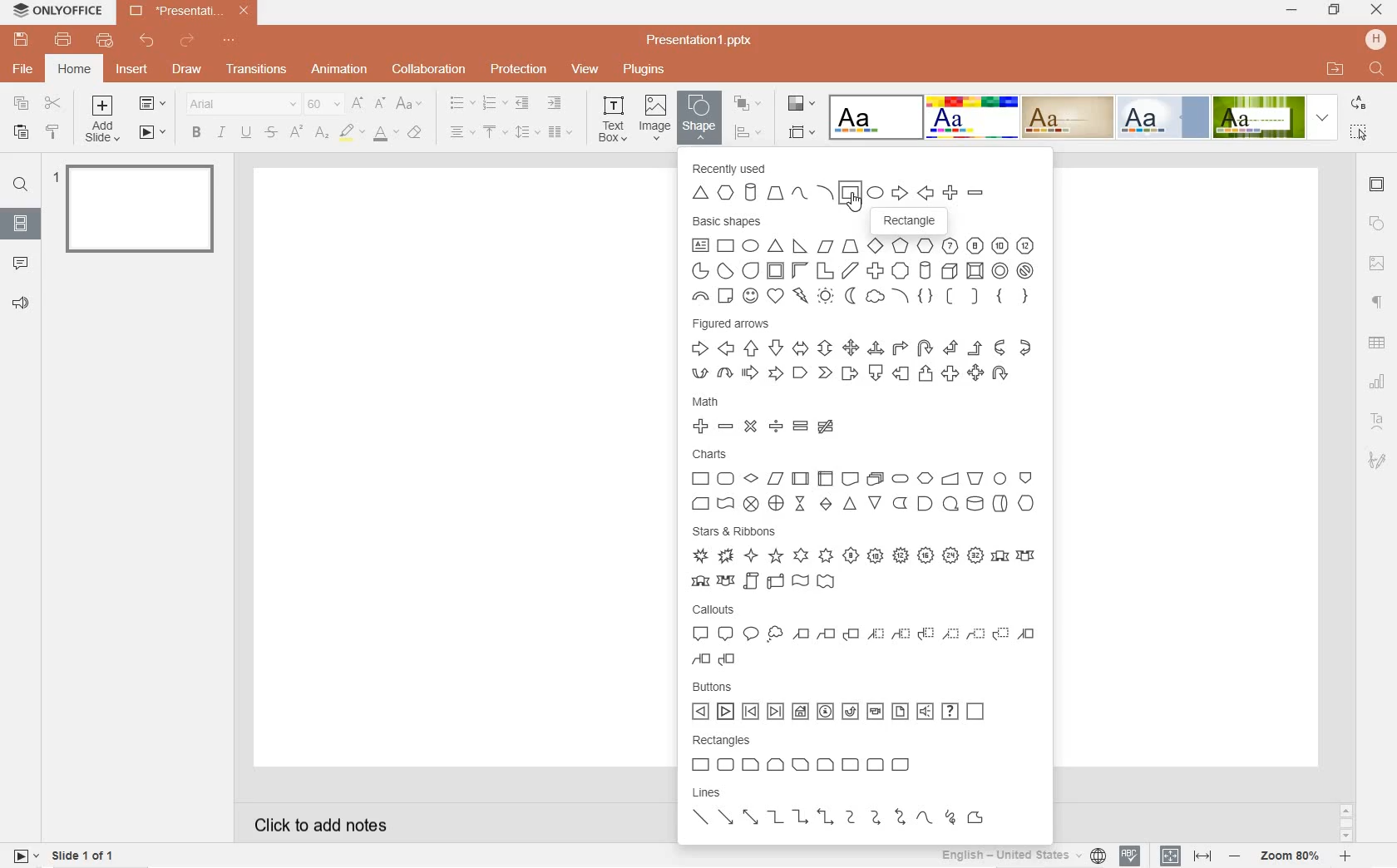 This screenshot has width=1397, height=868. What do you see at coordinates (926, 636) in the screenshot?
I see `Line Callout 3 (Accent Bar)` at bounding box center [926, 636].